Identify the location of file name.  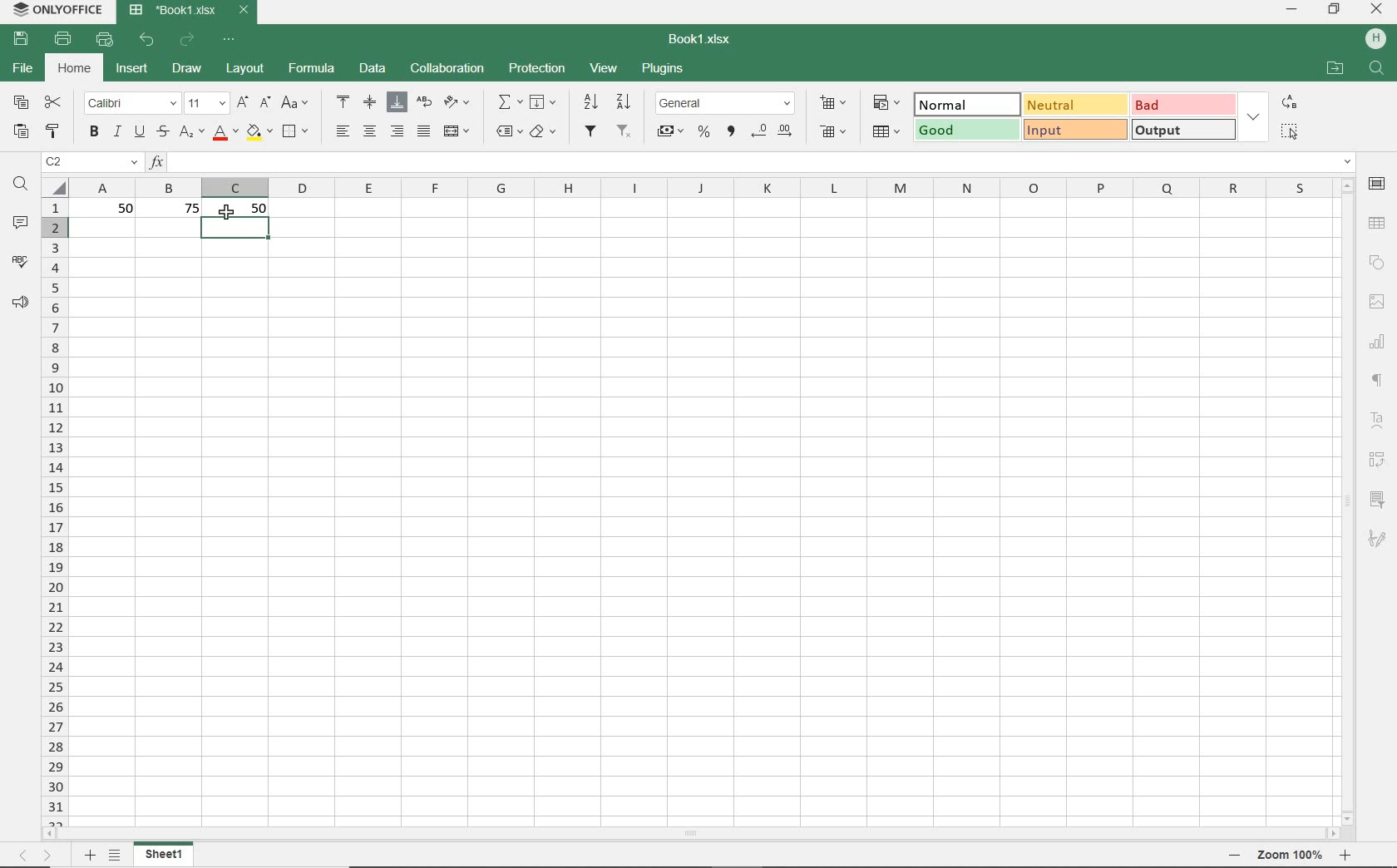
(698, 37).